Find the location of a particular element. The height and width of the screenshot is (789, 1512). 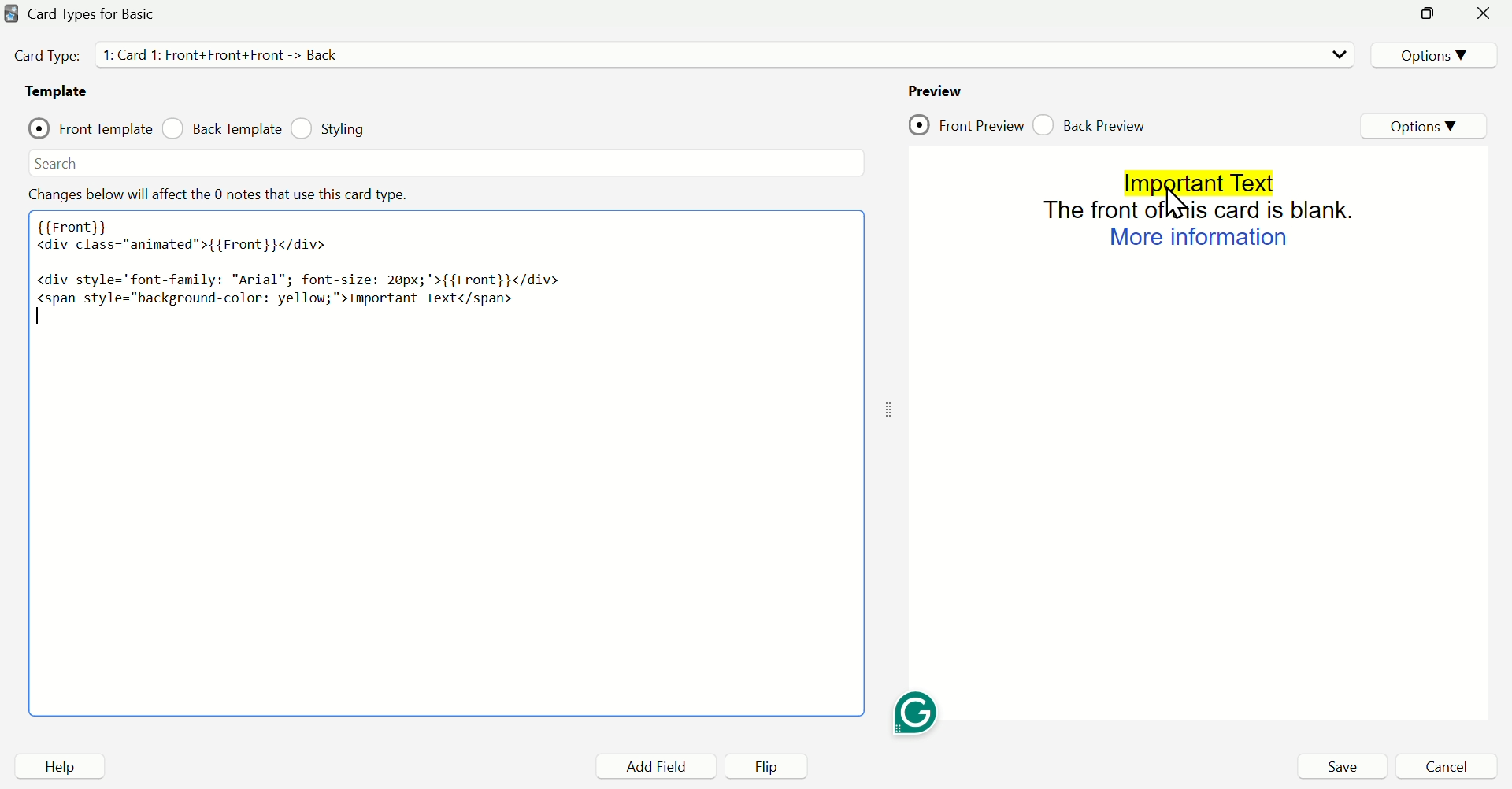

Cursor is located at coordinates (1177, 206).